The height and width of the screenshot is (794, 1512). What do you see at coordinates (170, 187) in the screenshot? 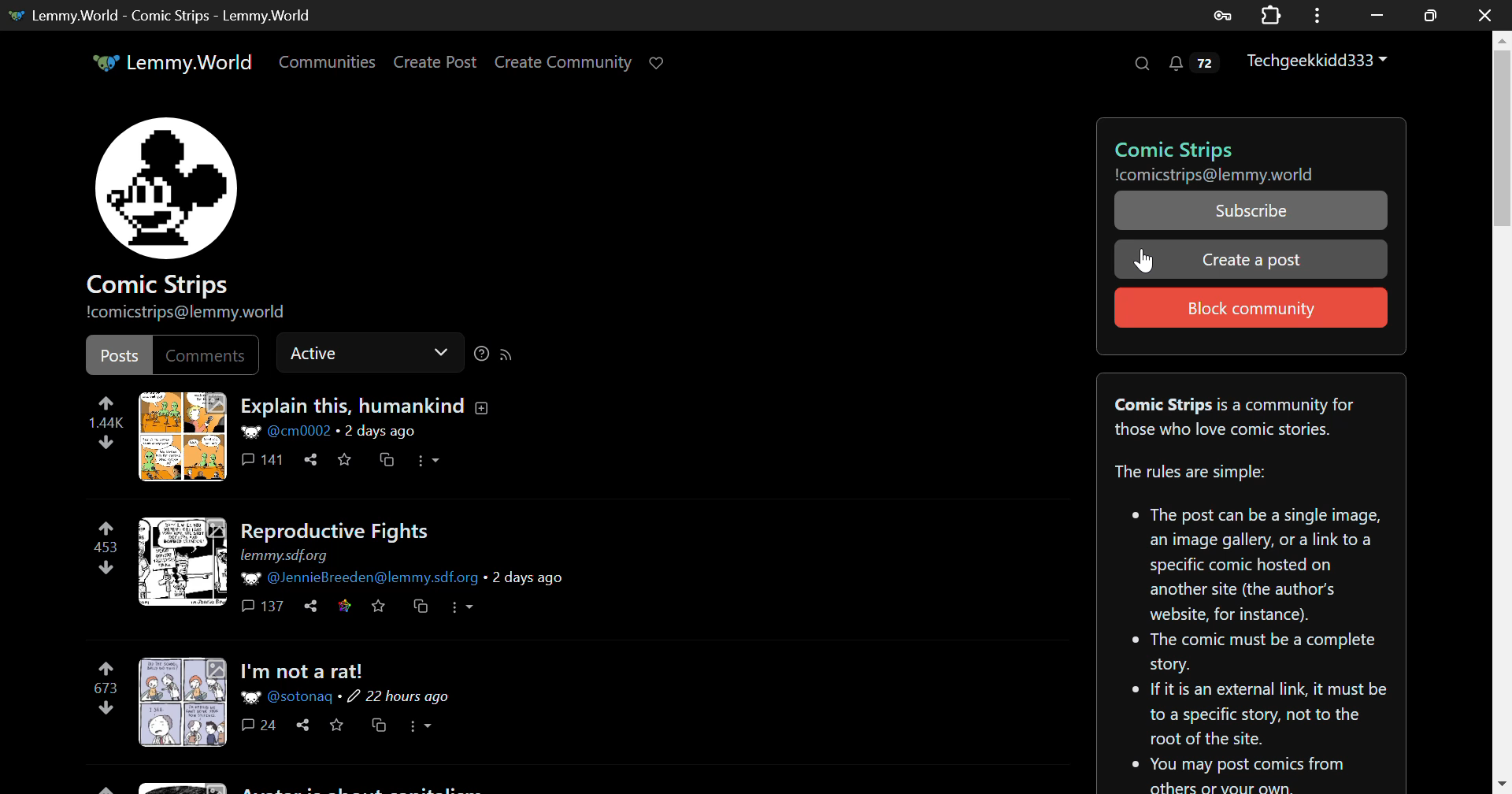
I see `Community PFP` at bounding box center [170, 187].